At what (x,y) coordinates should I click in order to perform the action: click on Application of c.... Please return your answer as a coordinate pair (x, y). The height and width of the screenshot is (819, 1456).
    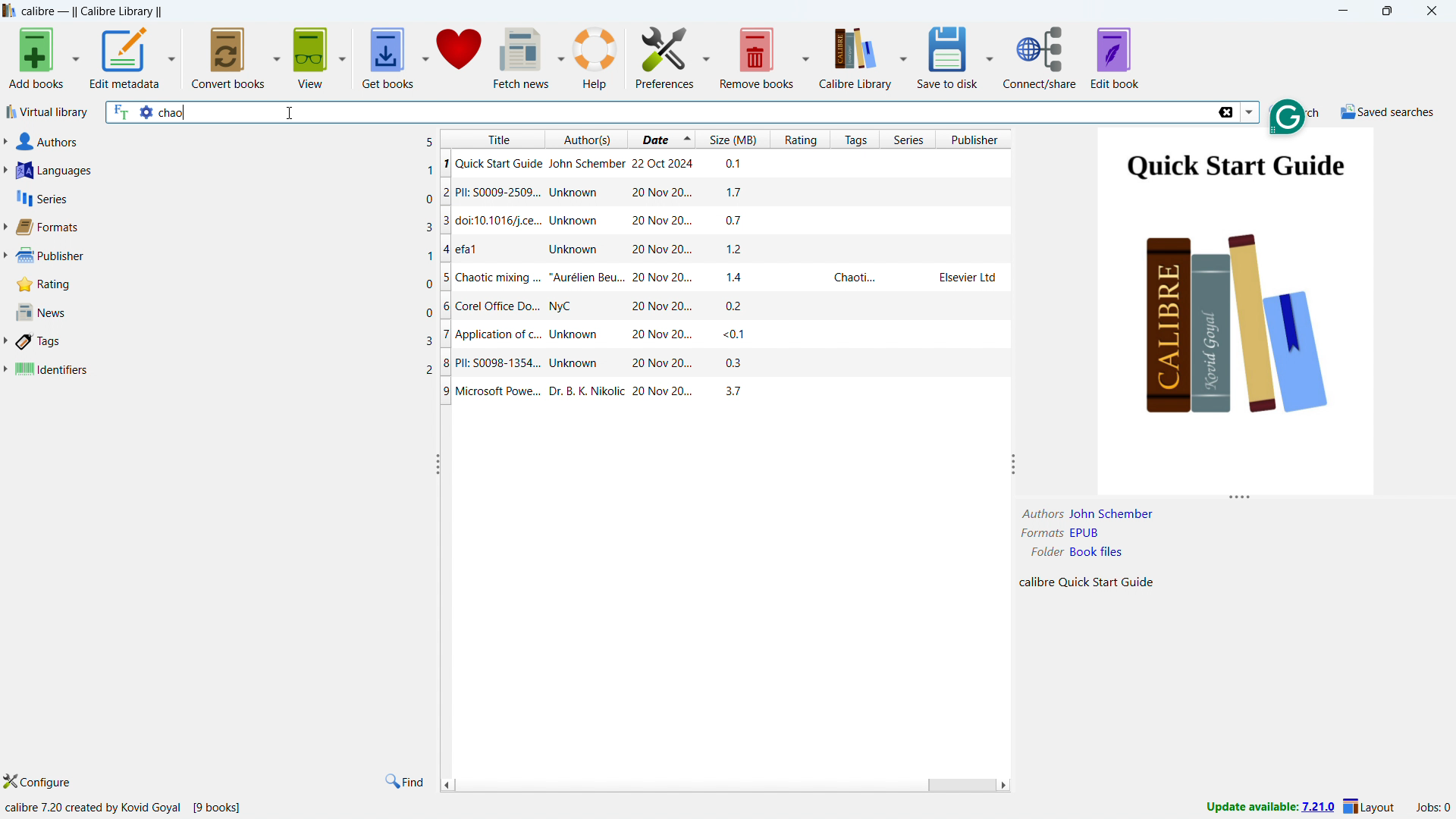
    Looking at the image, I should click on (723, 335).